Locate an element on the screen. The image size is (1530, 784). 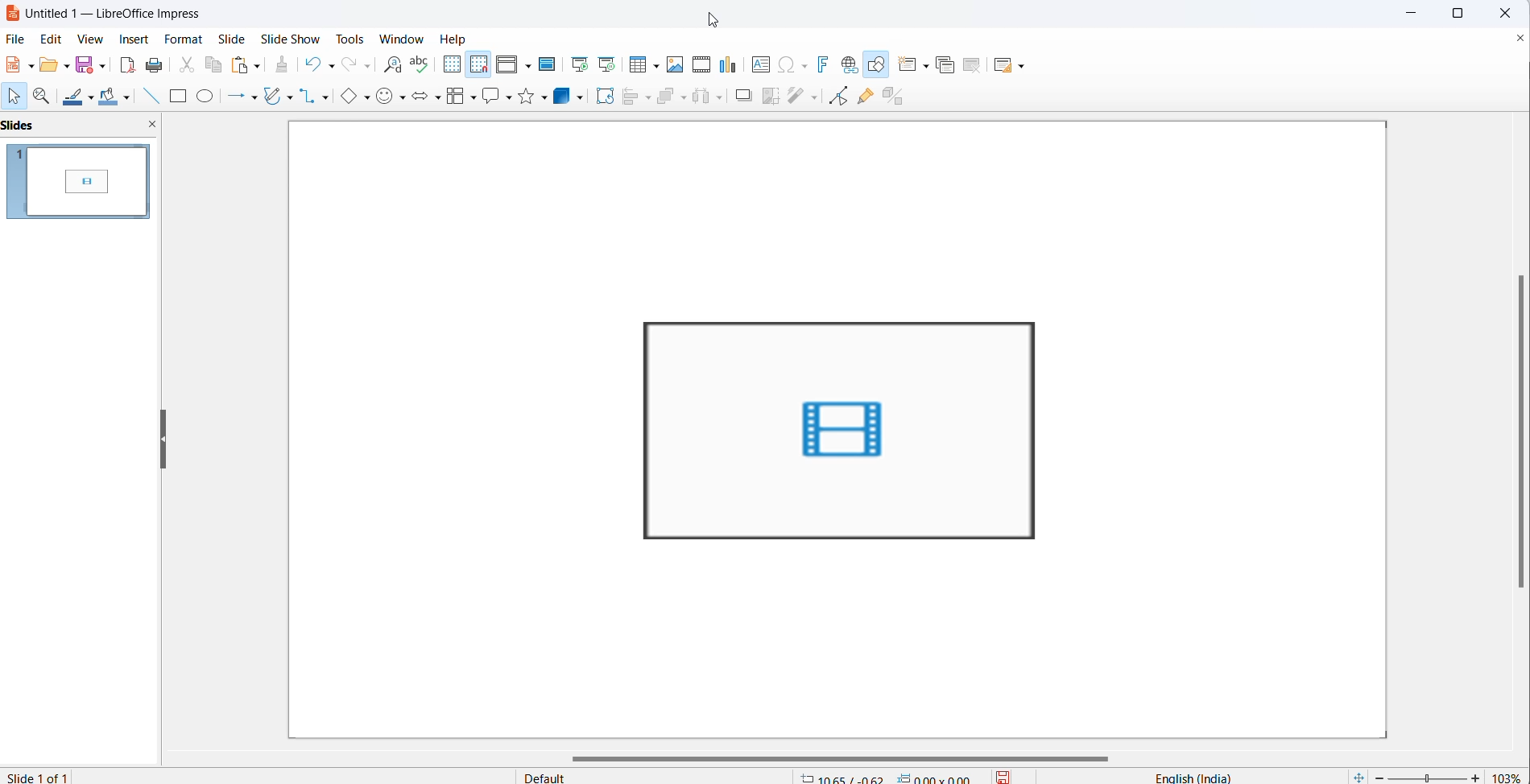
fit current slide to windows is located at coordinates (1357, 776).